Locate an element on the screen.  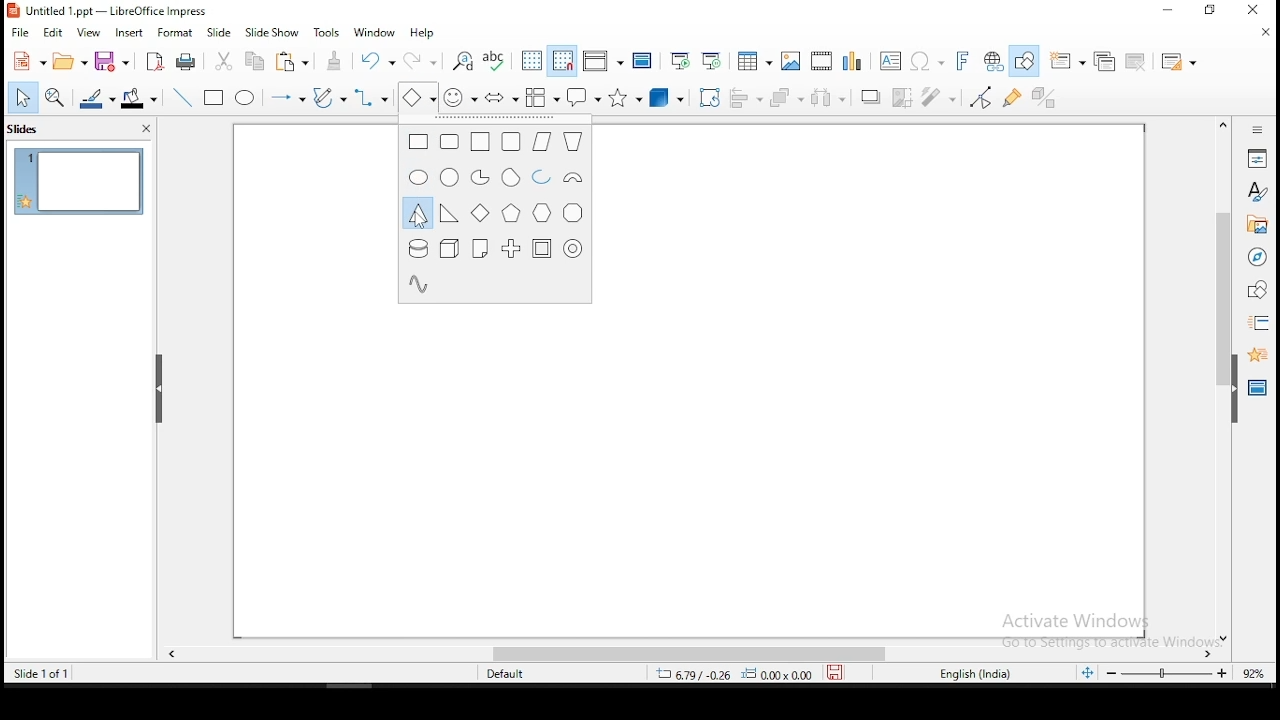
scroll bar is located at coordinates (691, 655).